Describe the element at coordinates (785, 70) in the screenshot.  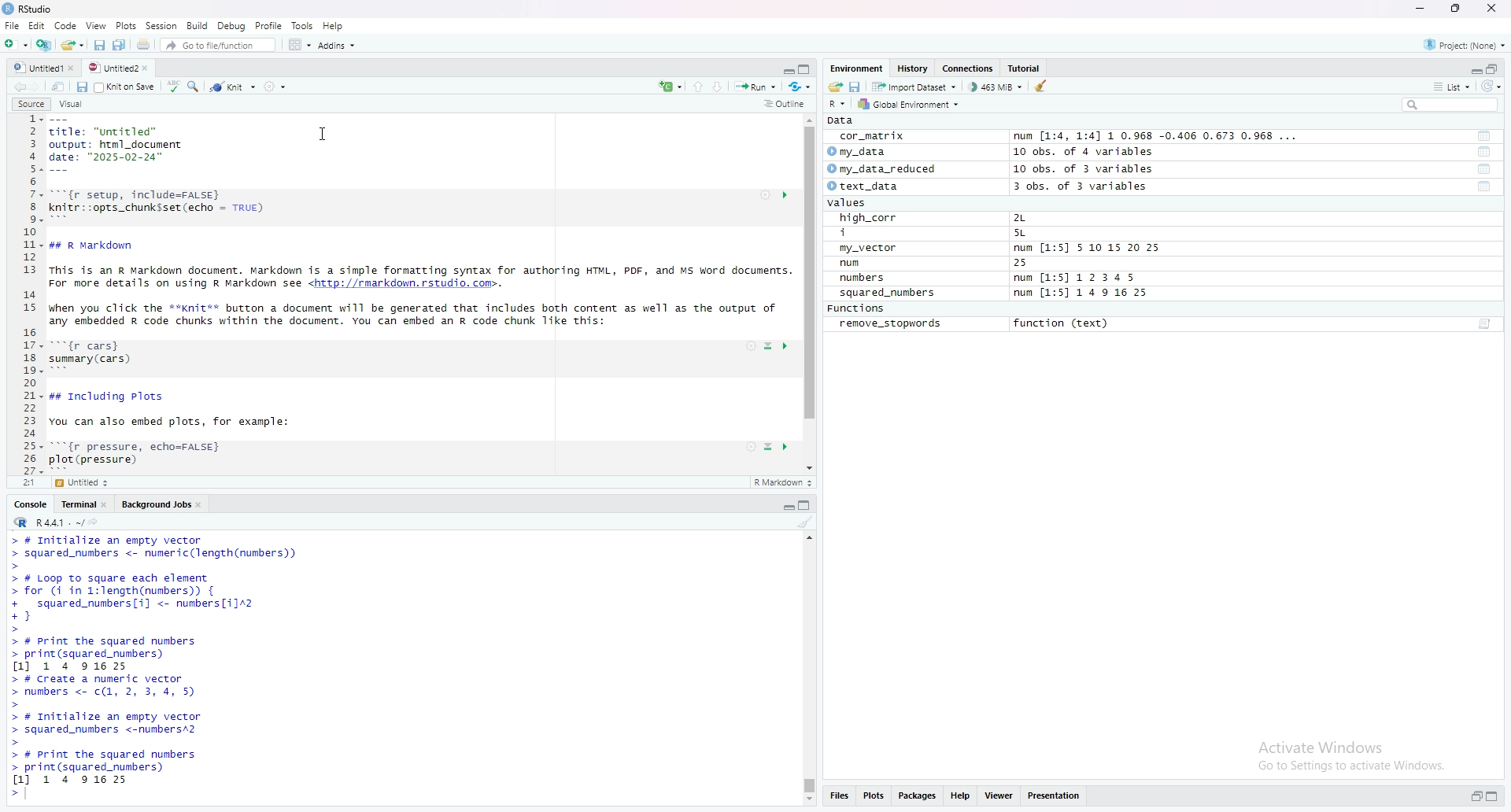
I see `minimize` at that location.